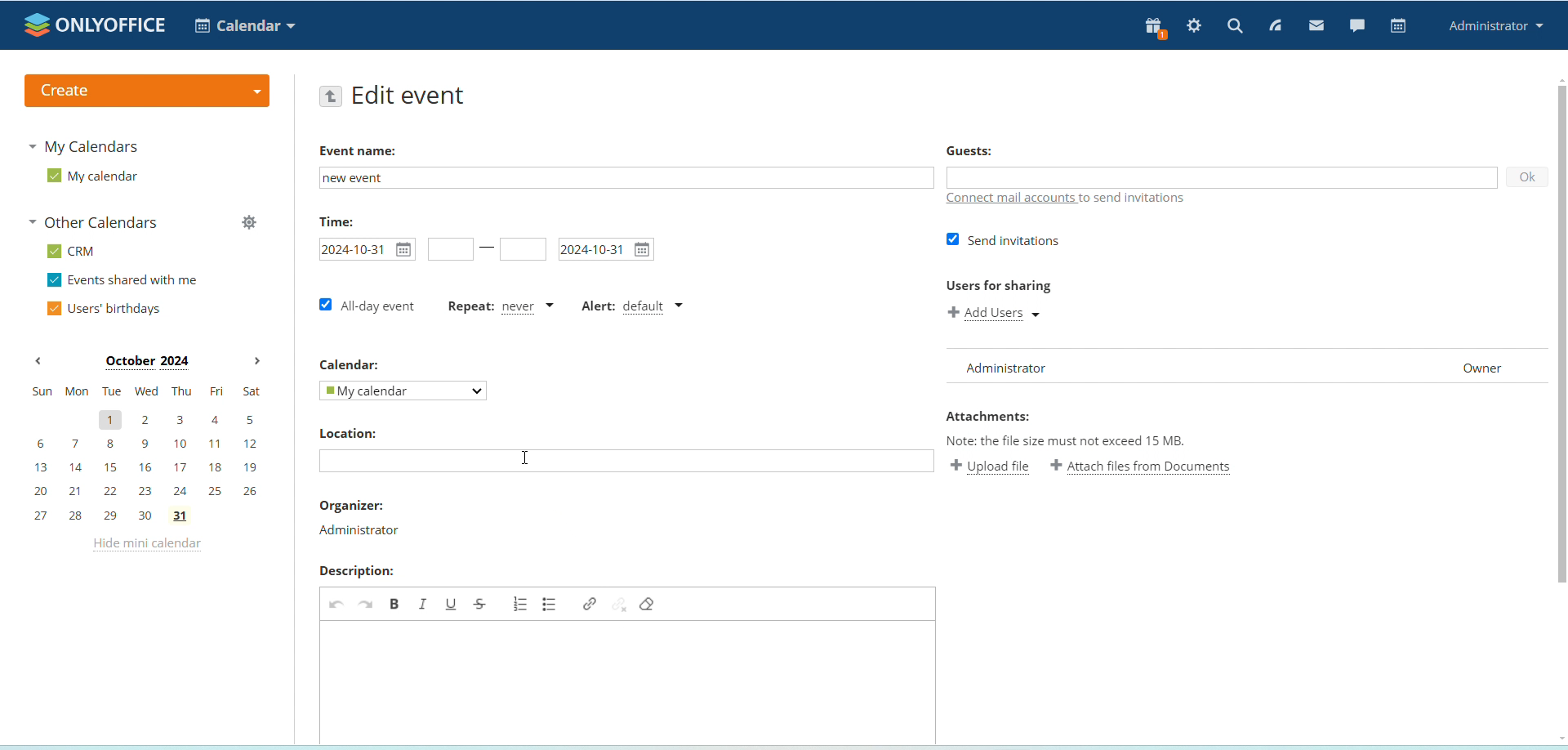 Image resolution: width=1568 pixels, height=750 pixels. I want to click on strikethrough, so click(480, 604).